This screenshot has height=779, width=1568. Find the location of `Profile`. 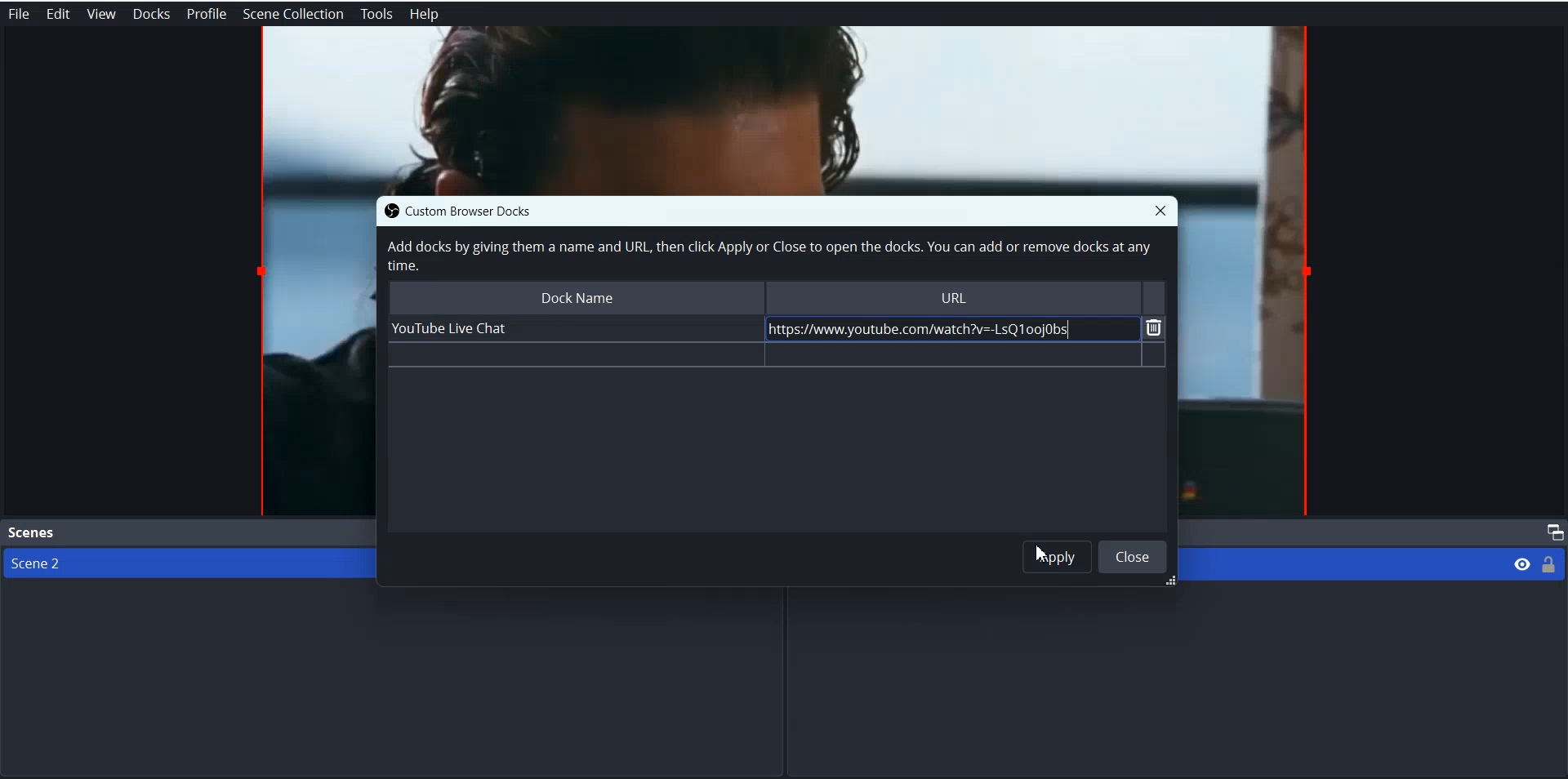

Profile is located at coordinates (207, 14).